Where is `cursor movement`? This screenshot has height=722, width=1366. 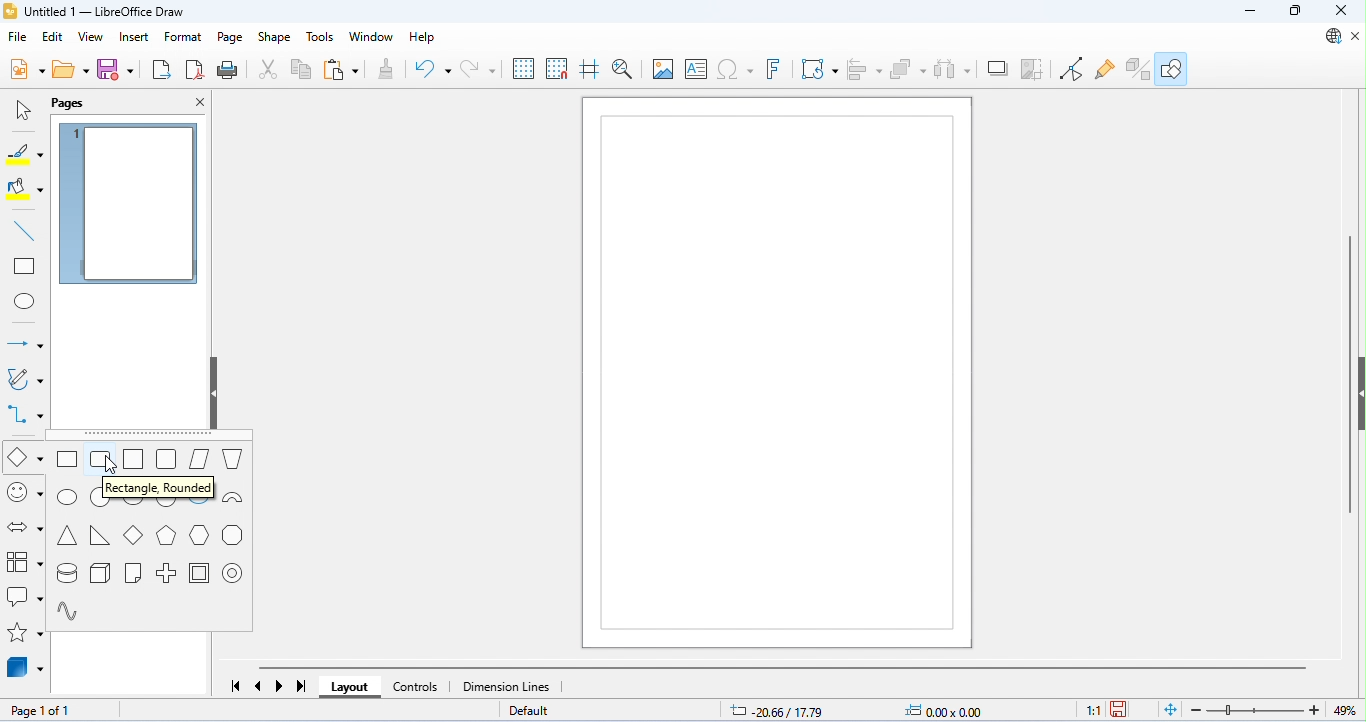 cursor movement is located at coordinates (110, 465).